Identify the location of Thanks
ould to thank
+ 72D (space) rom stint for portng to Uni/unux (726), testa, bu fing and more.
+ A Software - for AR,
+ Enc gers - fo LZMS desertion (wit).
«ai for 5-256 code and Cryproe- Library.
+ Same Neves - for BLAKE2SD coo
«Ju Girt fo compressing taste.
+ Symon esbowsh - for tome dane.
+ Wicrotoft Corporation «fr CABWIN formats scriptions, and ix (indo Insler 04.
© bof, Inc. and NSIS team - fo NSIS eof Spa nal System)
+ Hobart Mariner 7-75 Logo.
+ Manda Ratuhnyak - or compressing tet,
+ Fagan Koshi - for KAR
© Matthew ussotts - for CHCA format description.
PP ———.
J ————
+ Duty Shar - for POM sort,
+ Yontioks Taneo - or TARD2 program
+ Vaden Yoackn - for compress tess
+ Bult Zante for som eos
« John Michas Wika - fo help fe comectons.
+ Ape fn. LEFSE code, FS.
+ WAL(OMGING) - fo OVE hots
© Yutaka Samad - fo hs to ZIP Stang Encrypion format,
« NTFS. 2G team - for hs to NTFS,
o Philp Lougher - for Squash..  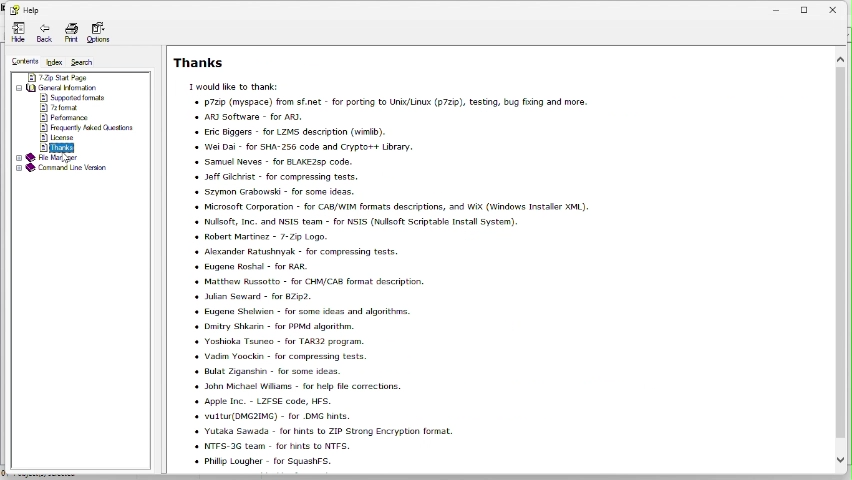
(379, 257).